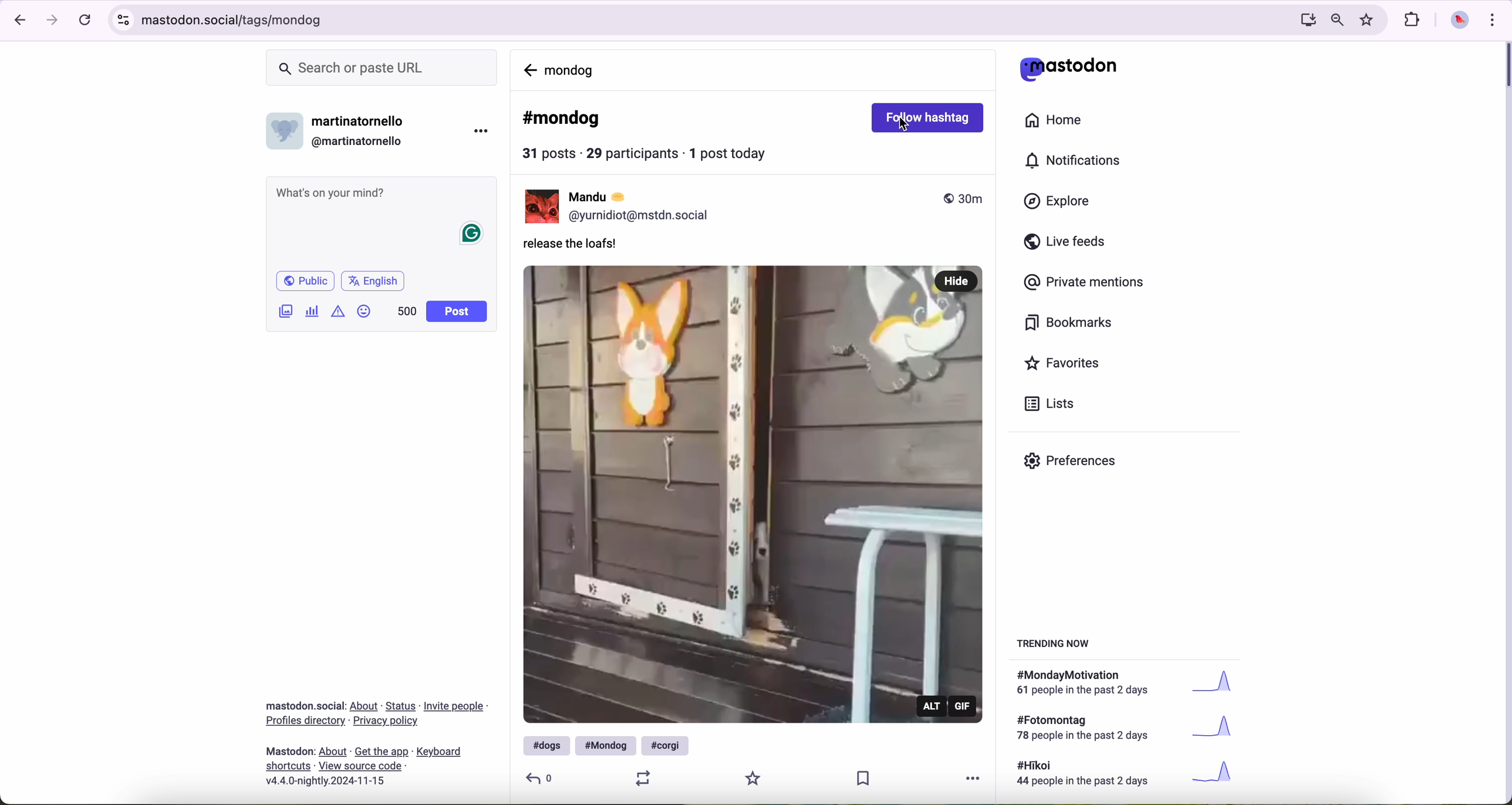 Image resolution: width=1512 pixels, height=805 pixels. I want to click on link, so click(360, 765).